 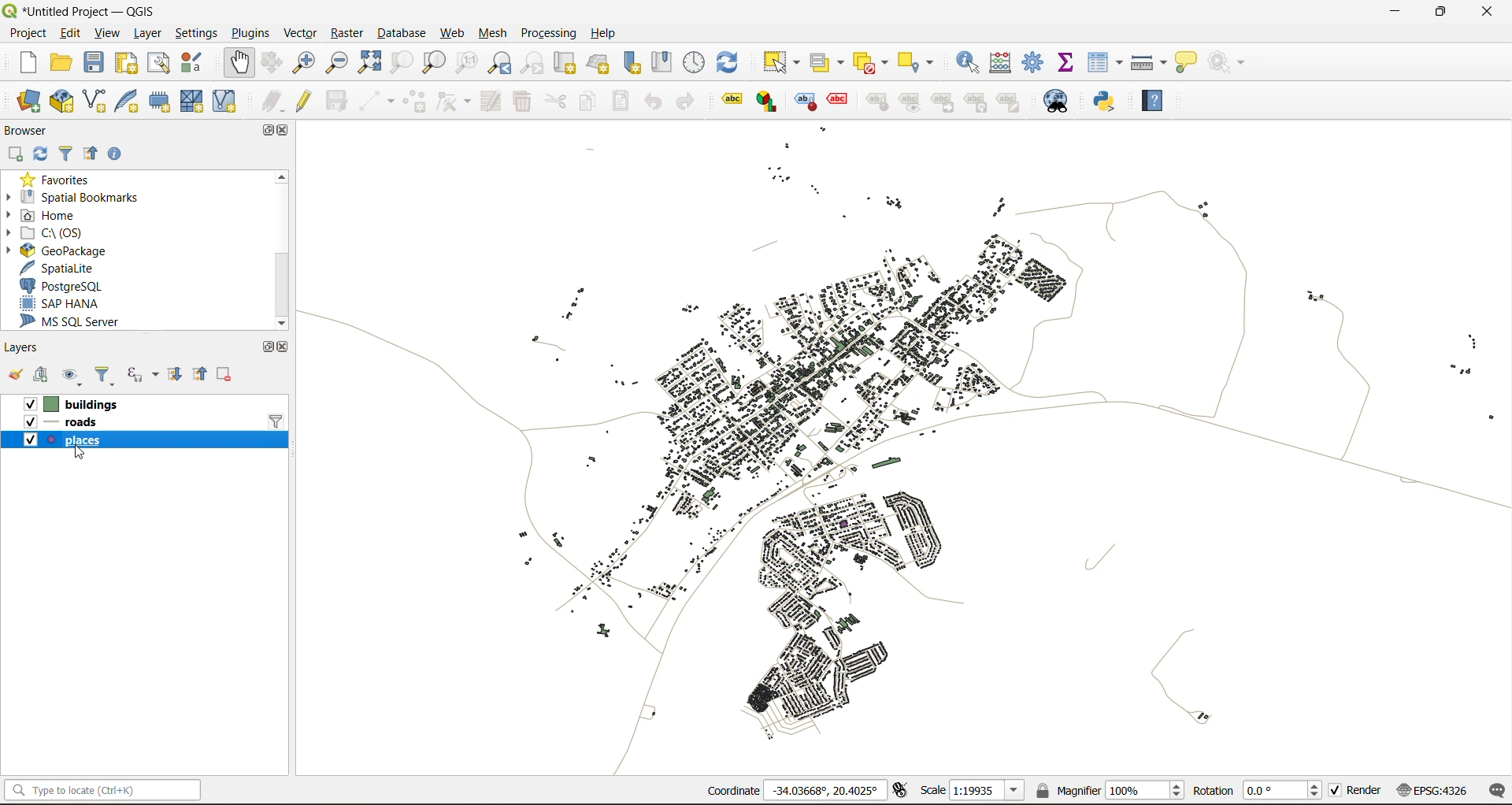 I want to click on select, so click(x=784, y=62).